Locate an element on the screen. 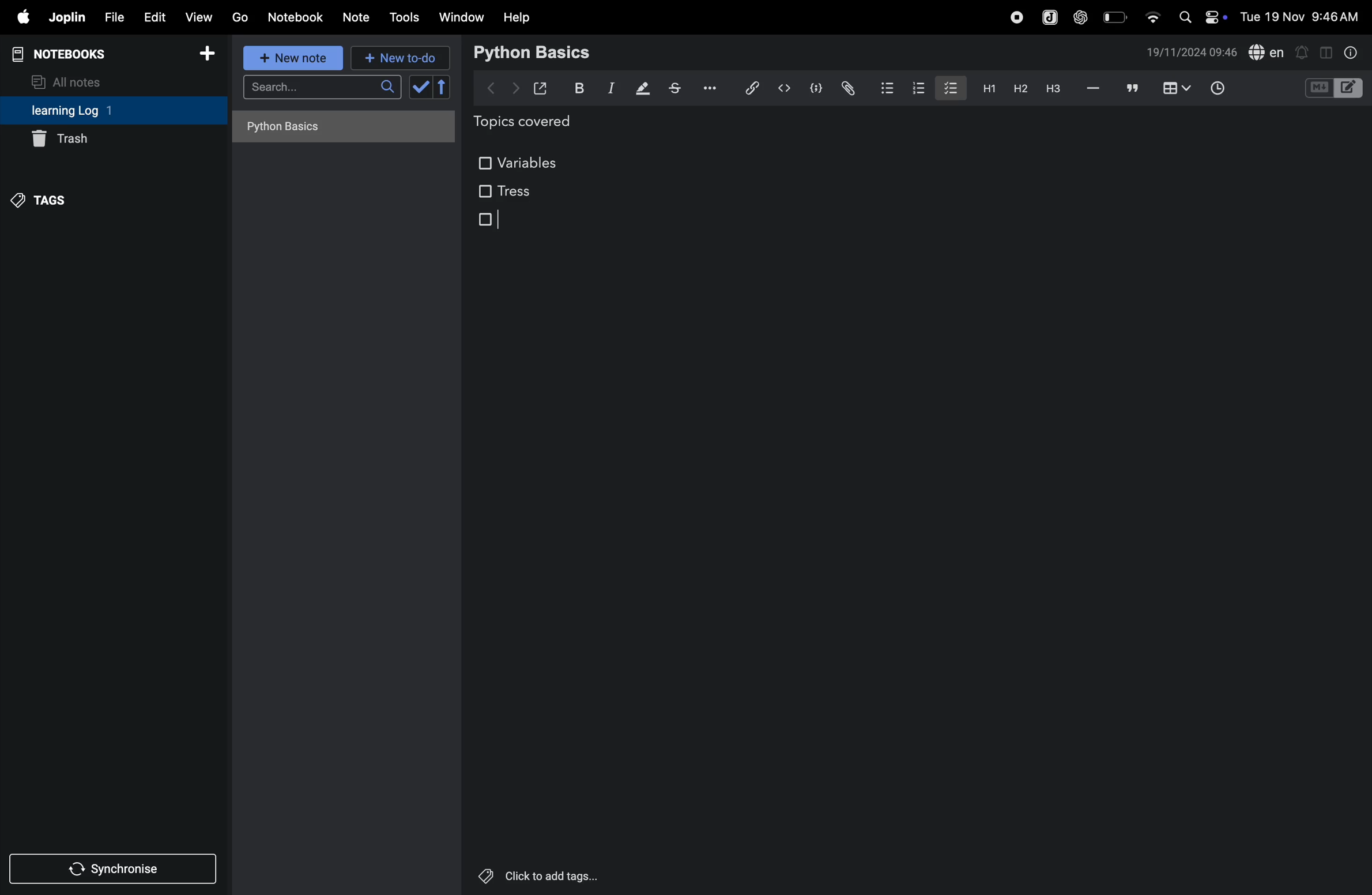 Image resolution: width=1372 pixels, height=895 pixels. date and time is located at coordinates (1303, 16).